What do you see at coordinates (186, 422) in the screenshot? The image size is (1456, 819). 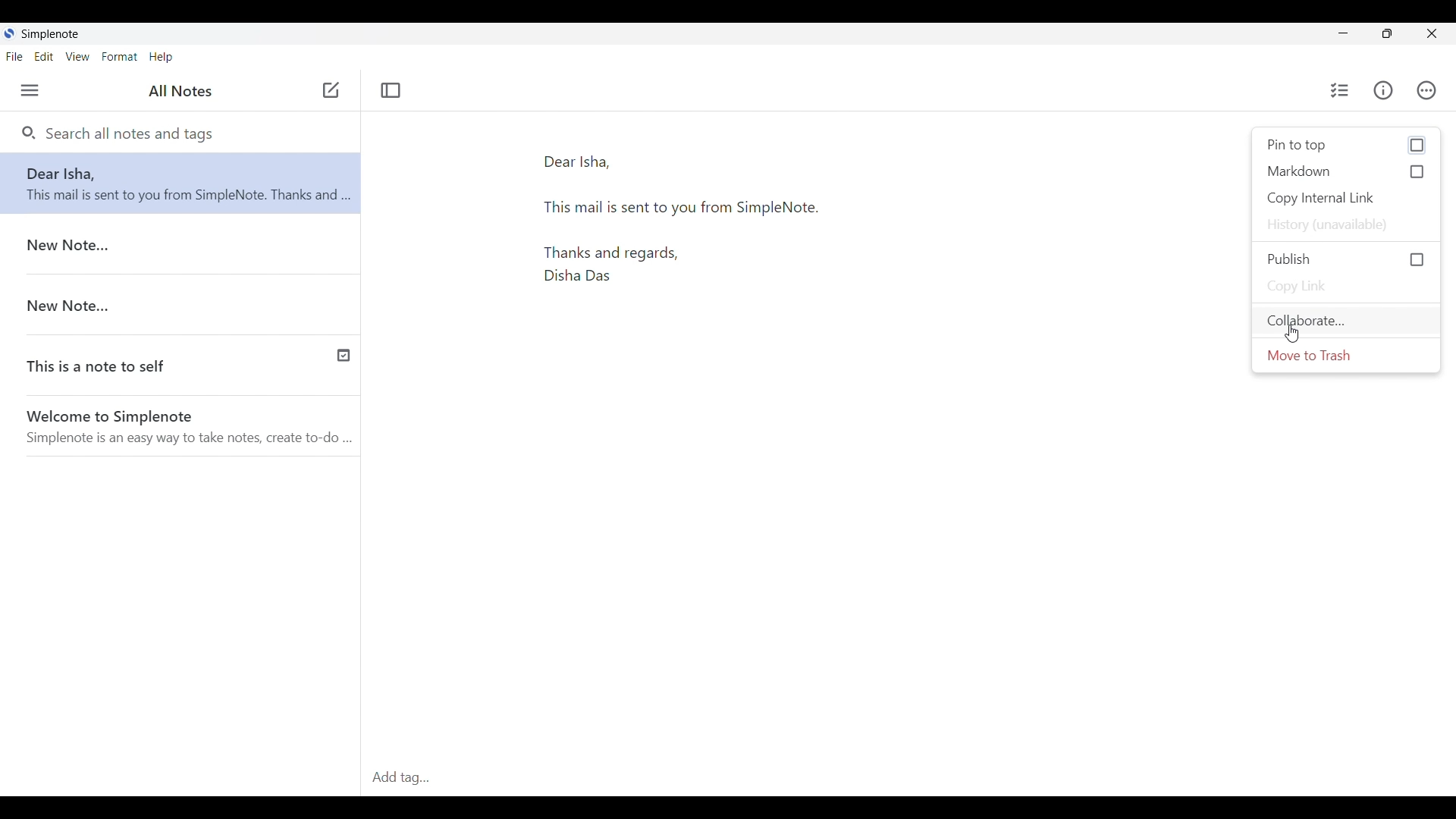 I see `Welcome to Simplenote` at bounding box center [186, 422].